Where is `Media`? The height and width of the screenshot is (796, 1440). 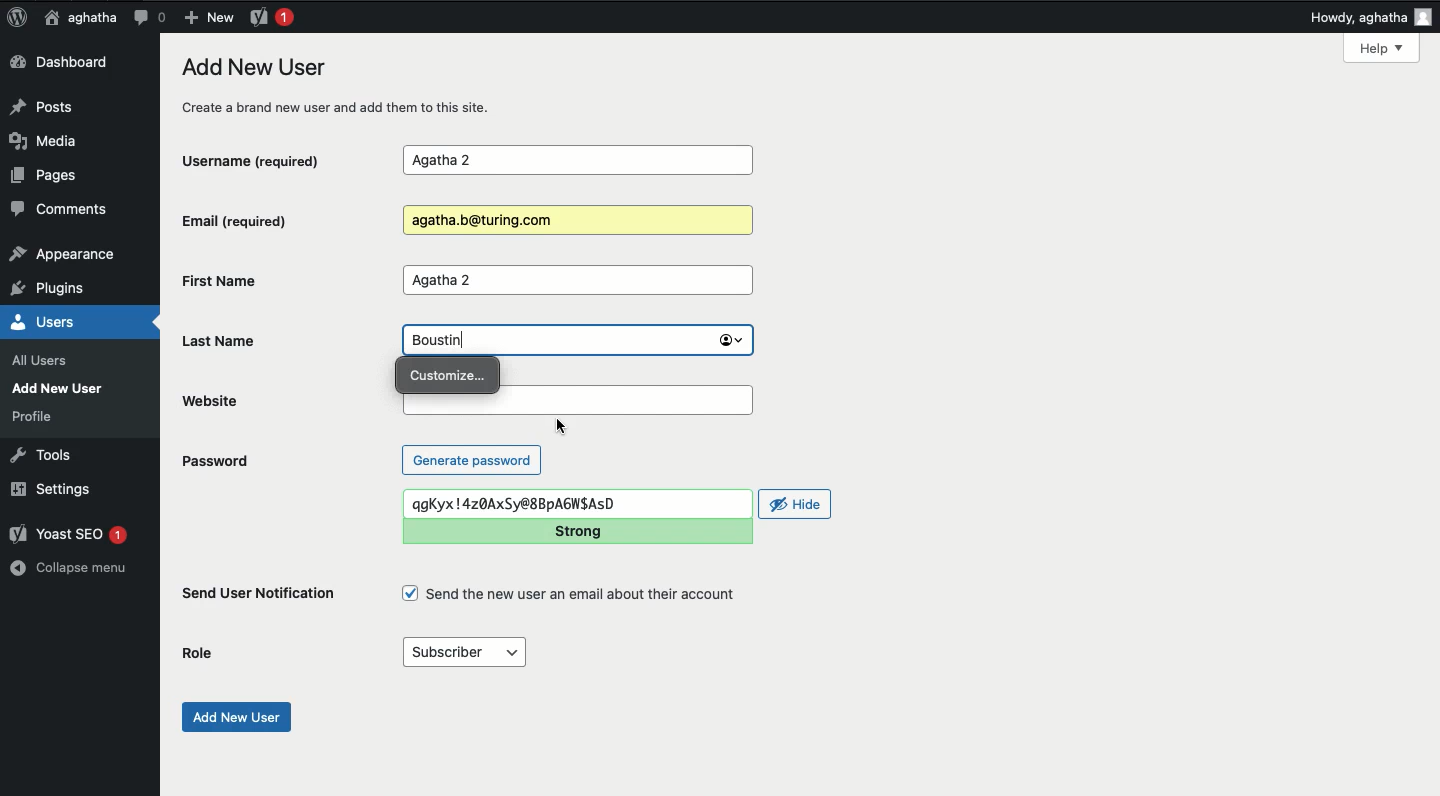
Media is located at coordinates (50, 141).